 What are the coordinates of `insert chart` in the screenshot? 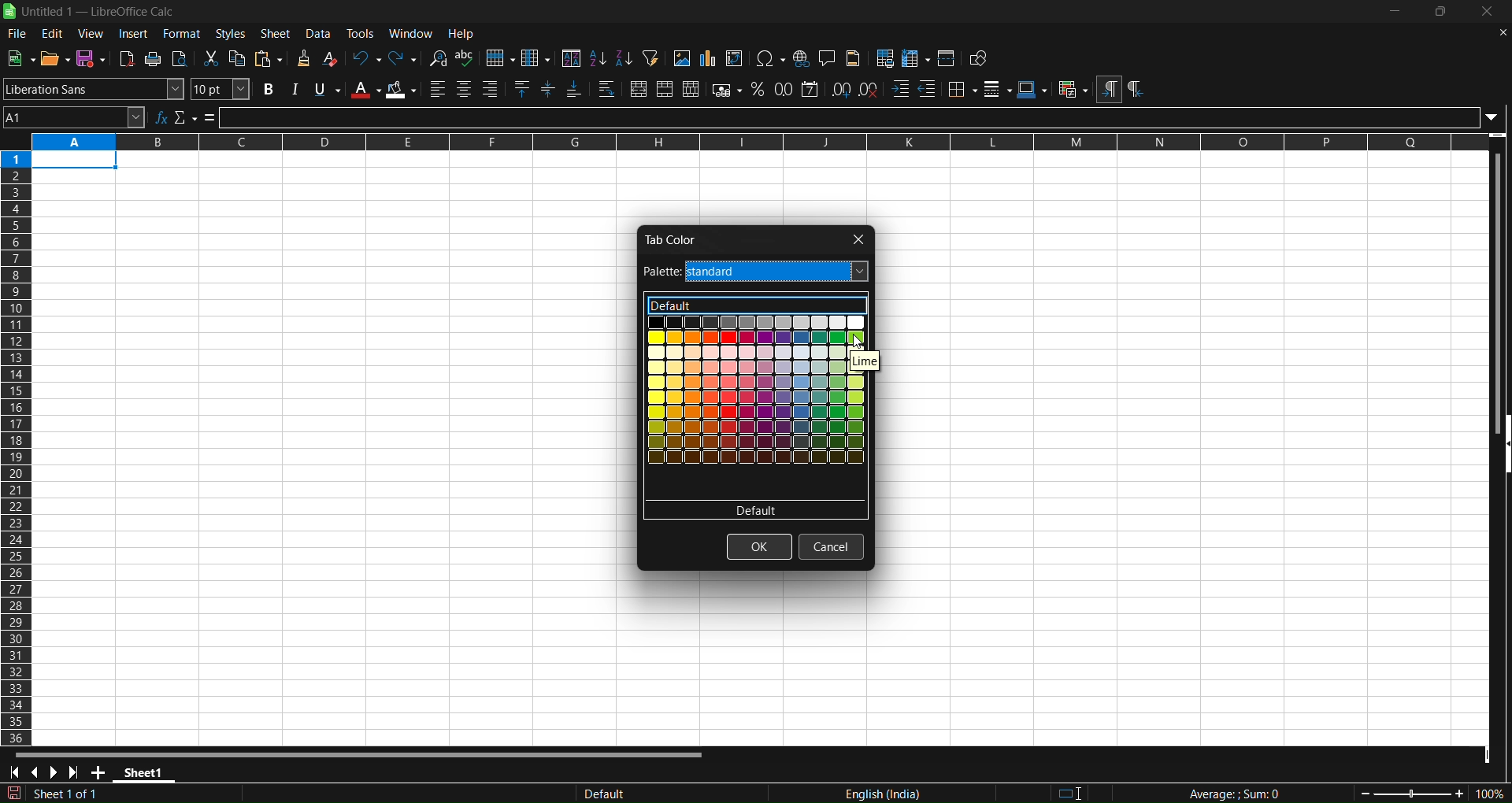 It's located at (706, 59).